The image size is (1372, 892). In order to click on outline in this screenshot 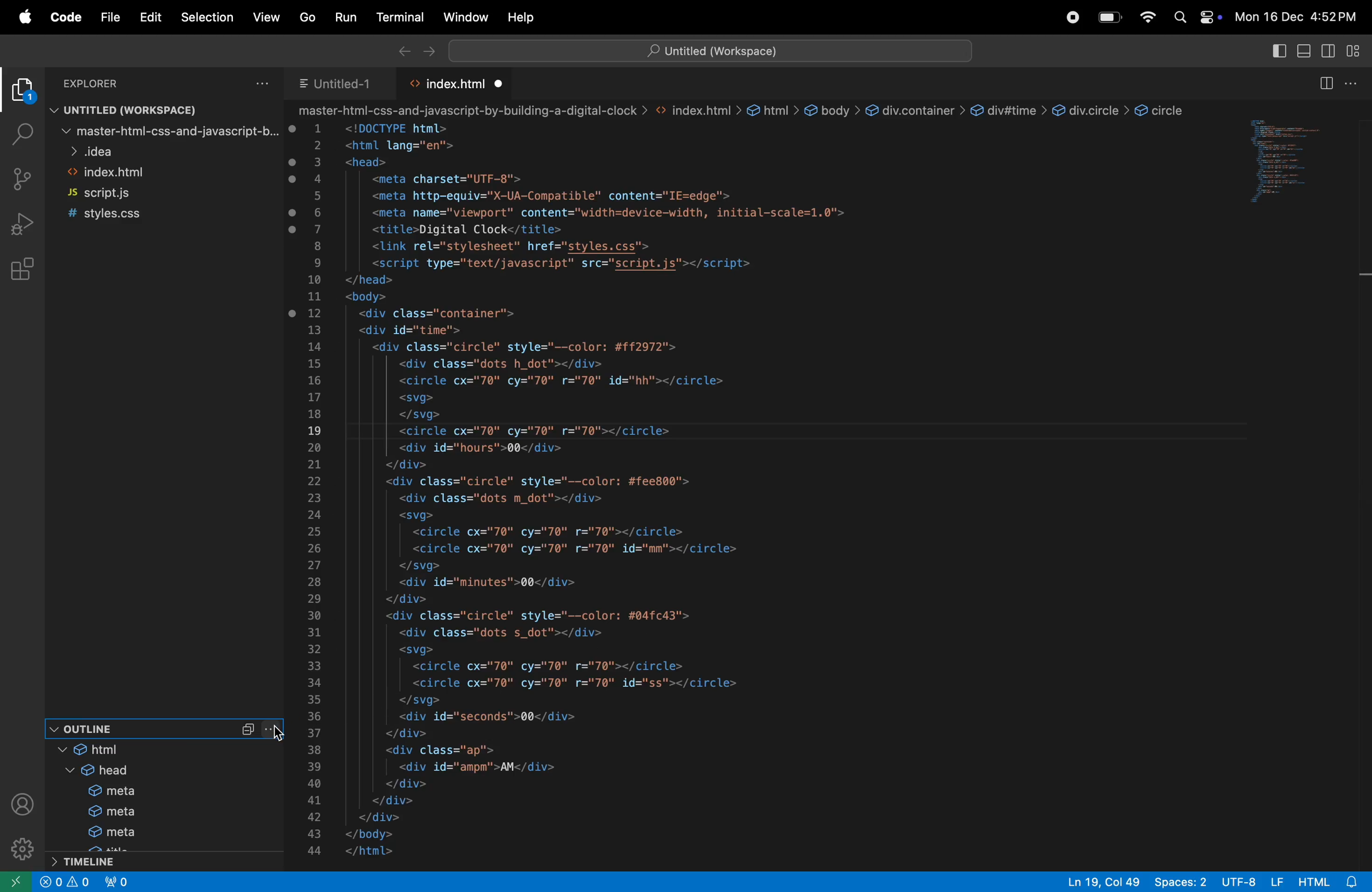, I will do `click(133, 728)`.